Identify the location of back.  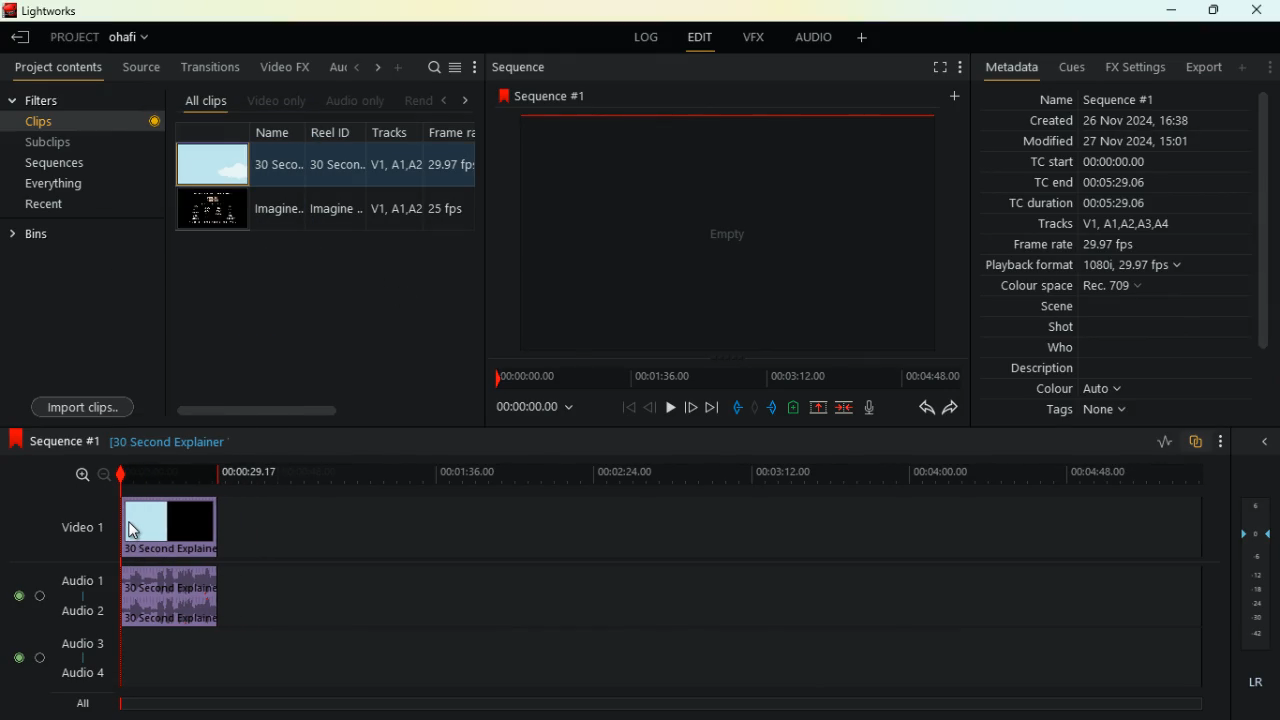
(648, 407).